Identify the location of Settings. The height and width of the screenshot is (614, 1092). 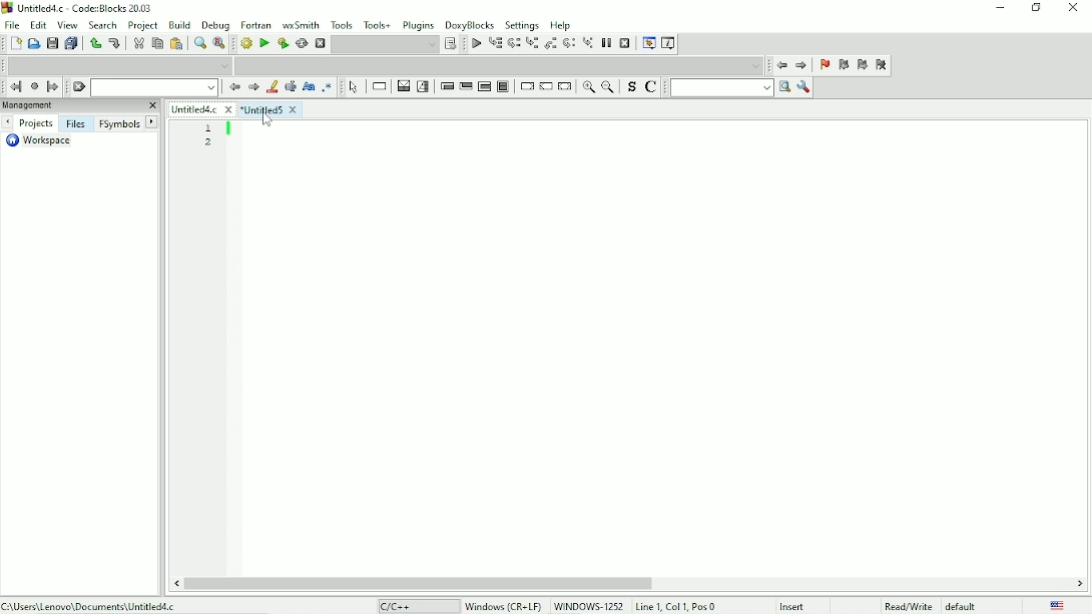
(522, 24).